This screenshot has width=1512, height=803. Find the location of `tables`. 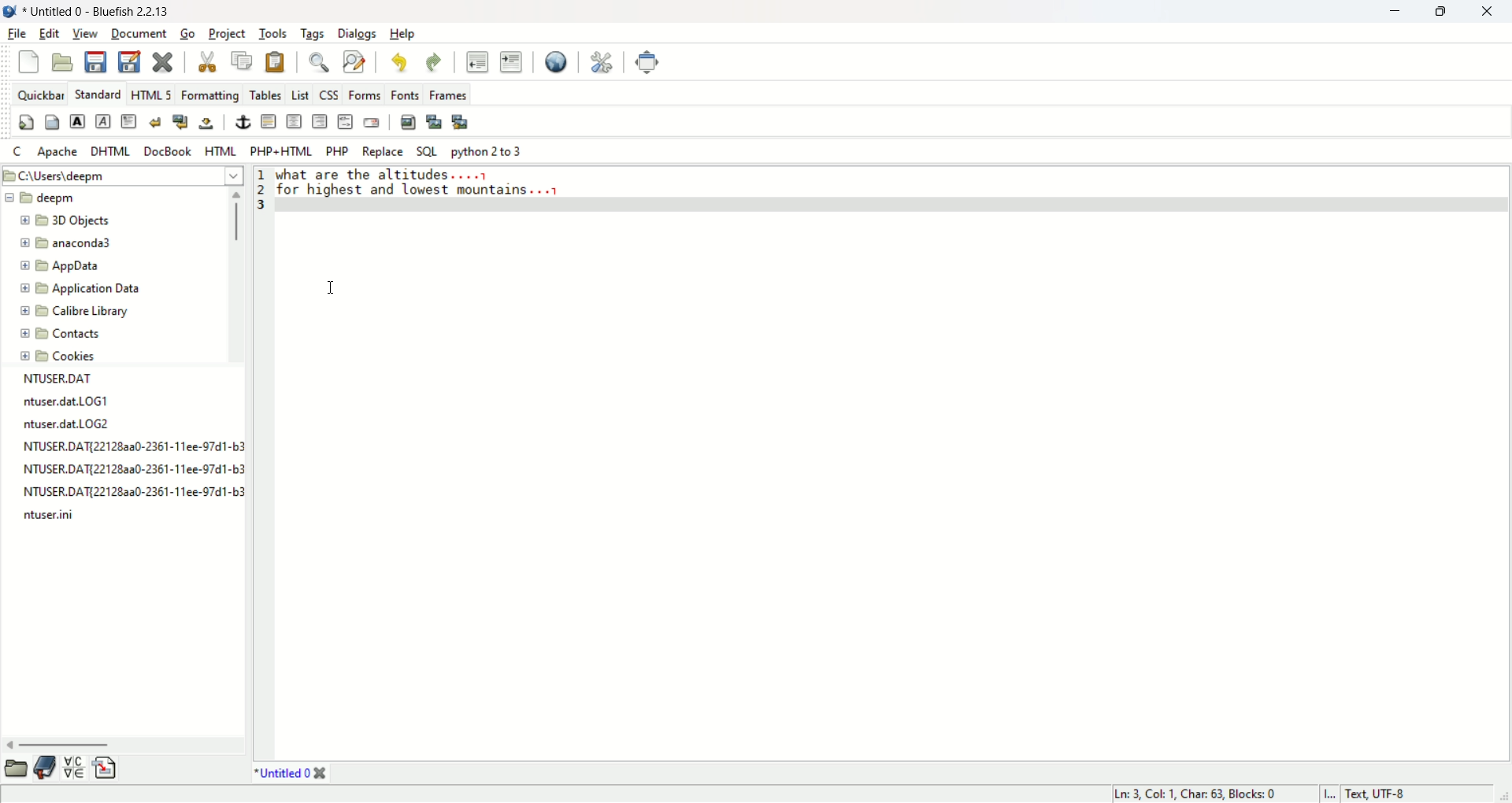

tables is located at coordinates (267, 94).